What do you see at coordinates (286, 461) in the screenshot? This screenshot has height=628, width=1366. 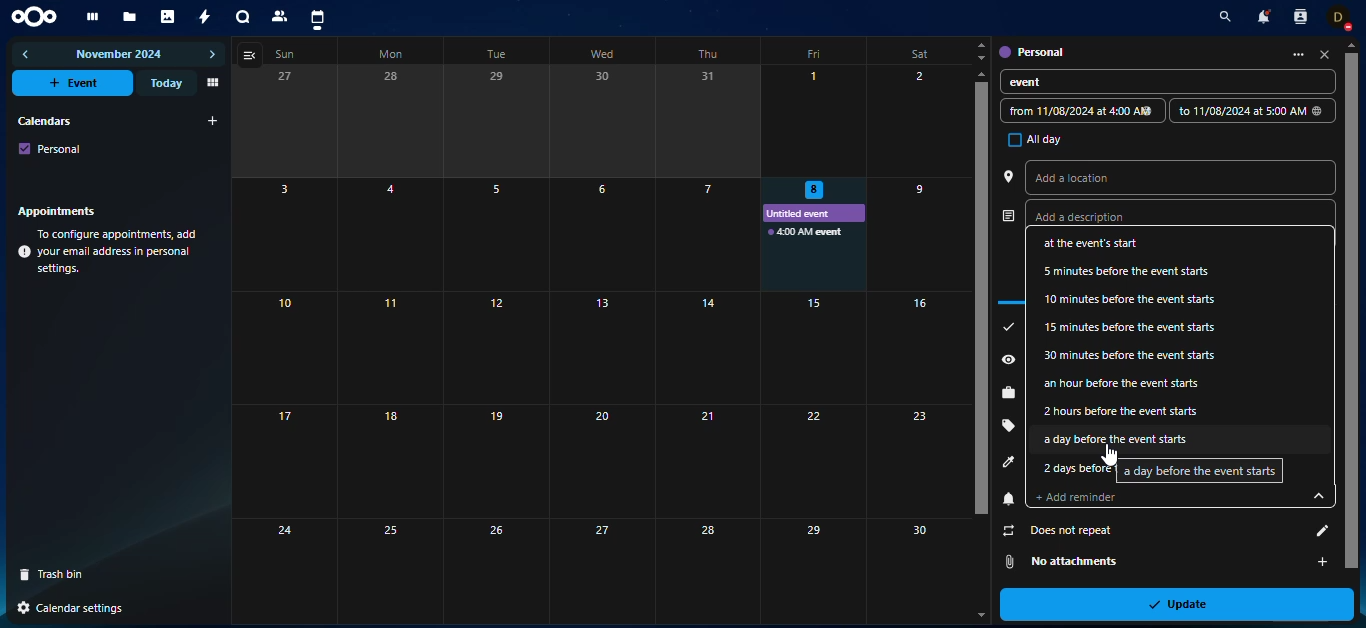 I see `17` at bounding box center [286, 461].